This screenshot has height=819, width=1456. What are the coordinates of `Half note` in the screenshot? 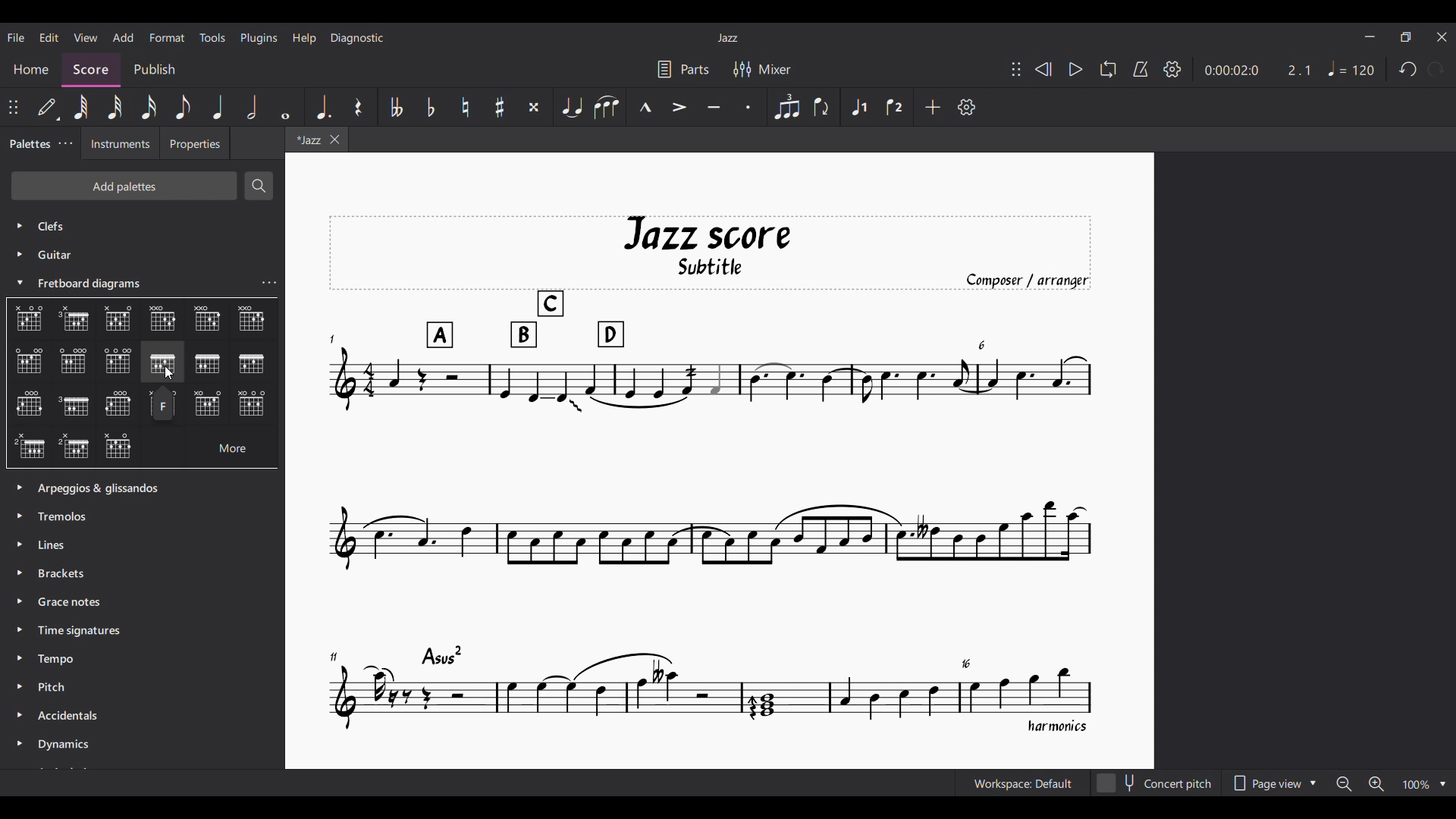 It's located at (251, 107).